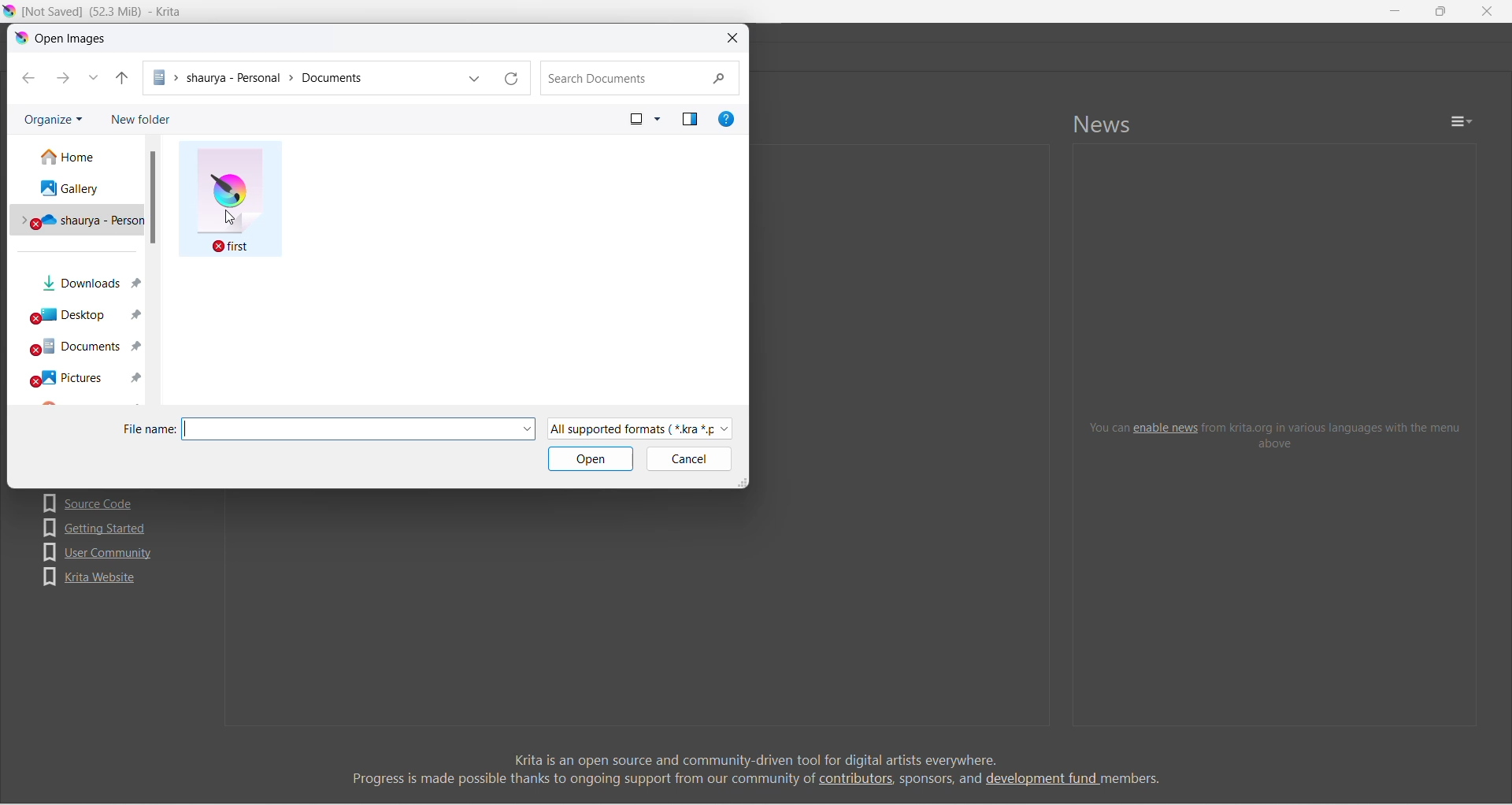 The width and height of the screenshot is (1512, 805). Describe the element at coordinates (140, 118) in the screenshot. I see `new folder` at that location.